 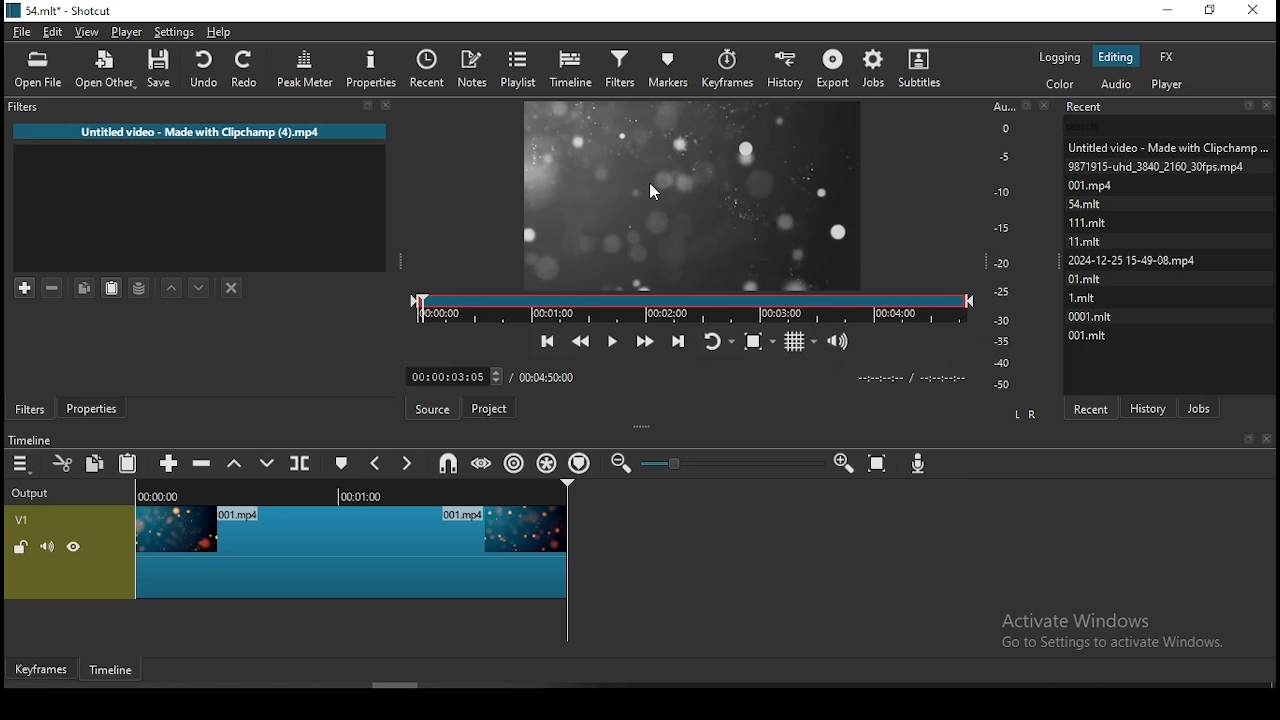 I want to click on player, so click(x=127, y=31).